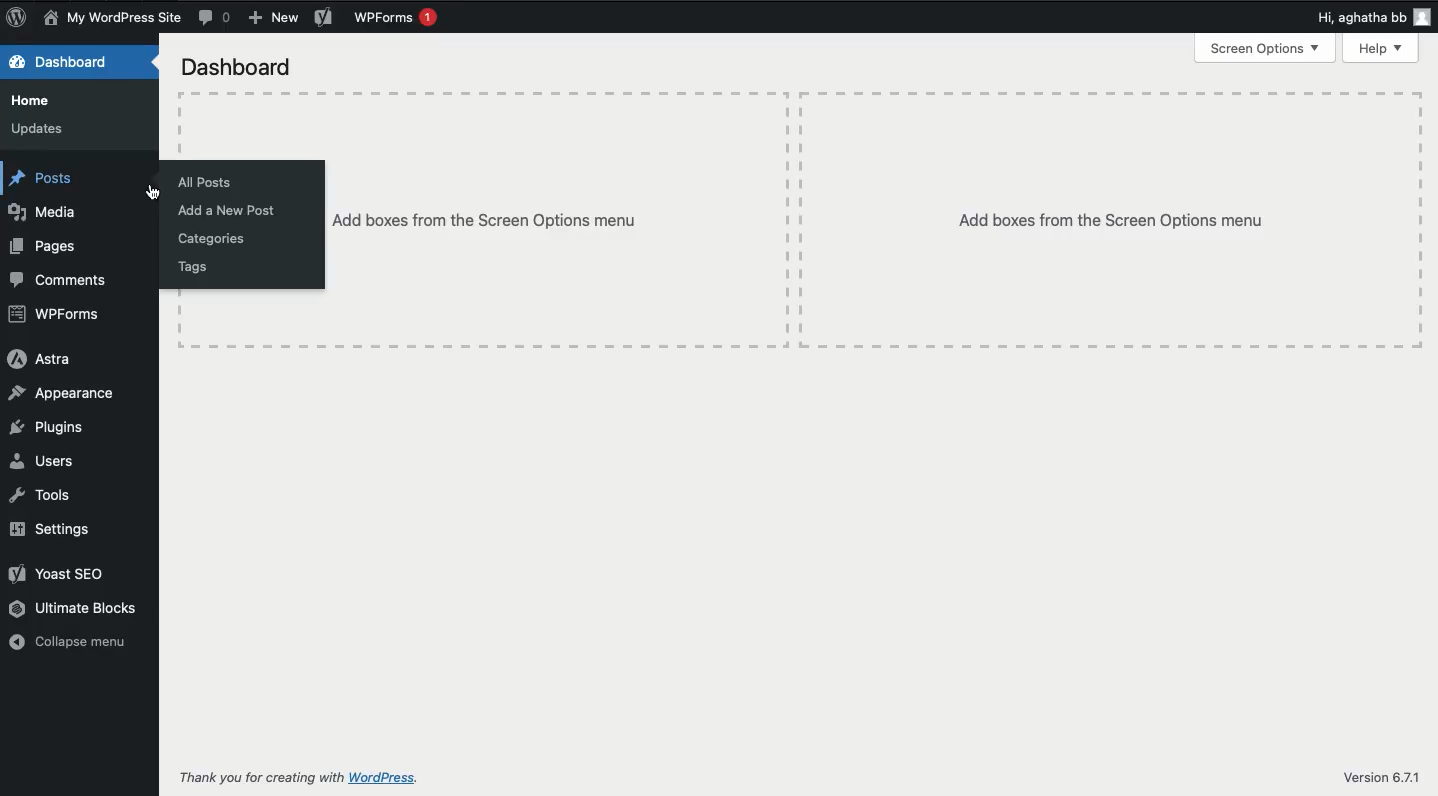  Describe the element at coordinates (210, 182) in the screenshot. I see `All posts` at that location.